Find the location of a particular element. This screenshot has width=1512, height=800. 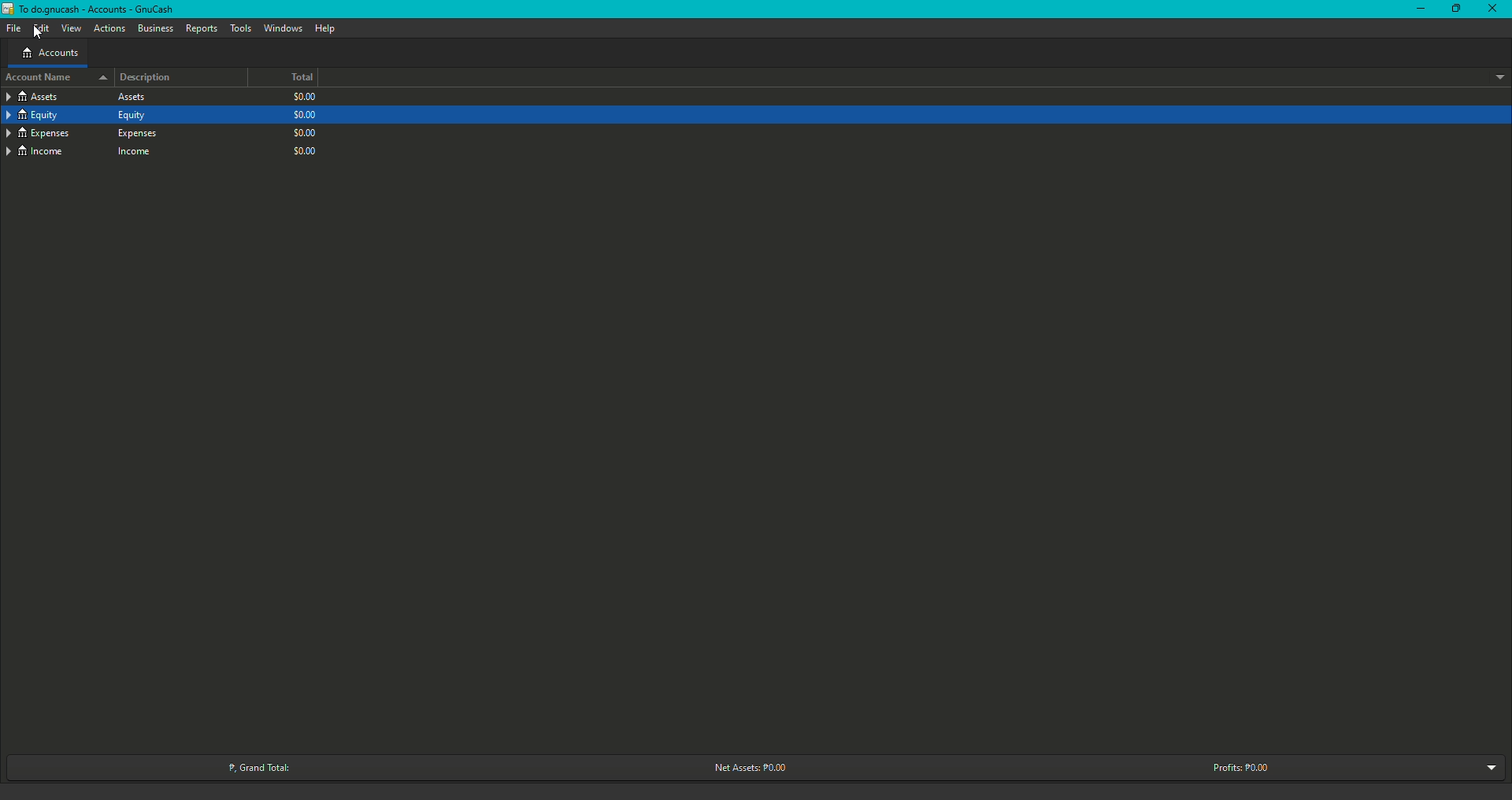

Description is located at coordinates (146, 78).